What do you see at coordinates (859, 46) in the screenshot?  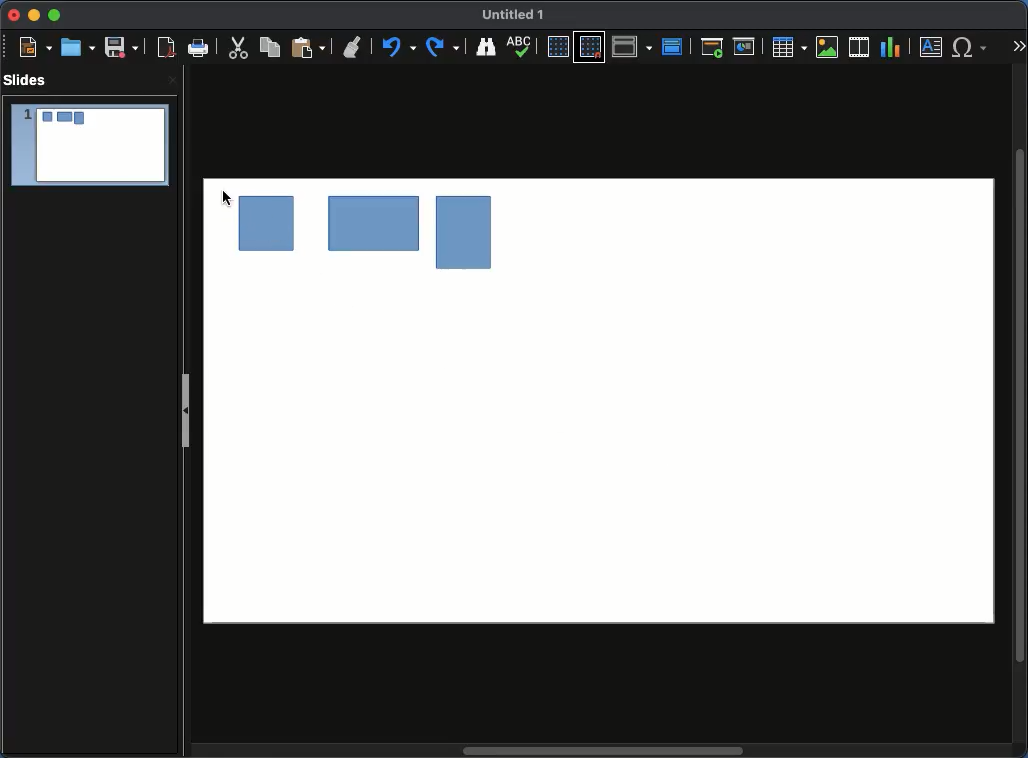 I see `Insert audio or video` at bounding box center [859, 46].